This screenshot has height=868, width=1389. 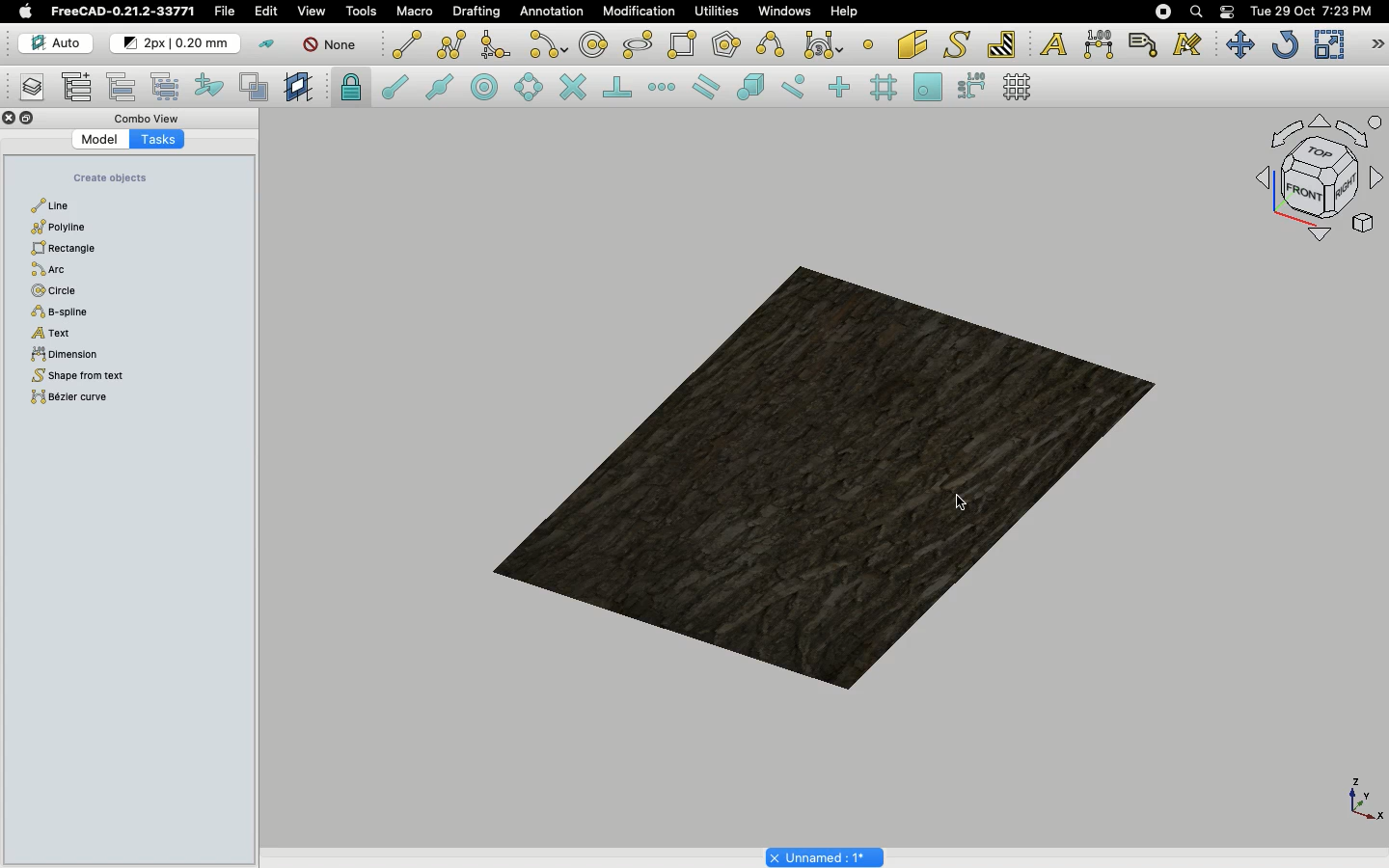 I want to click on Polyline, so click(x=59, y=227).